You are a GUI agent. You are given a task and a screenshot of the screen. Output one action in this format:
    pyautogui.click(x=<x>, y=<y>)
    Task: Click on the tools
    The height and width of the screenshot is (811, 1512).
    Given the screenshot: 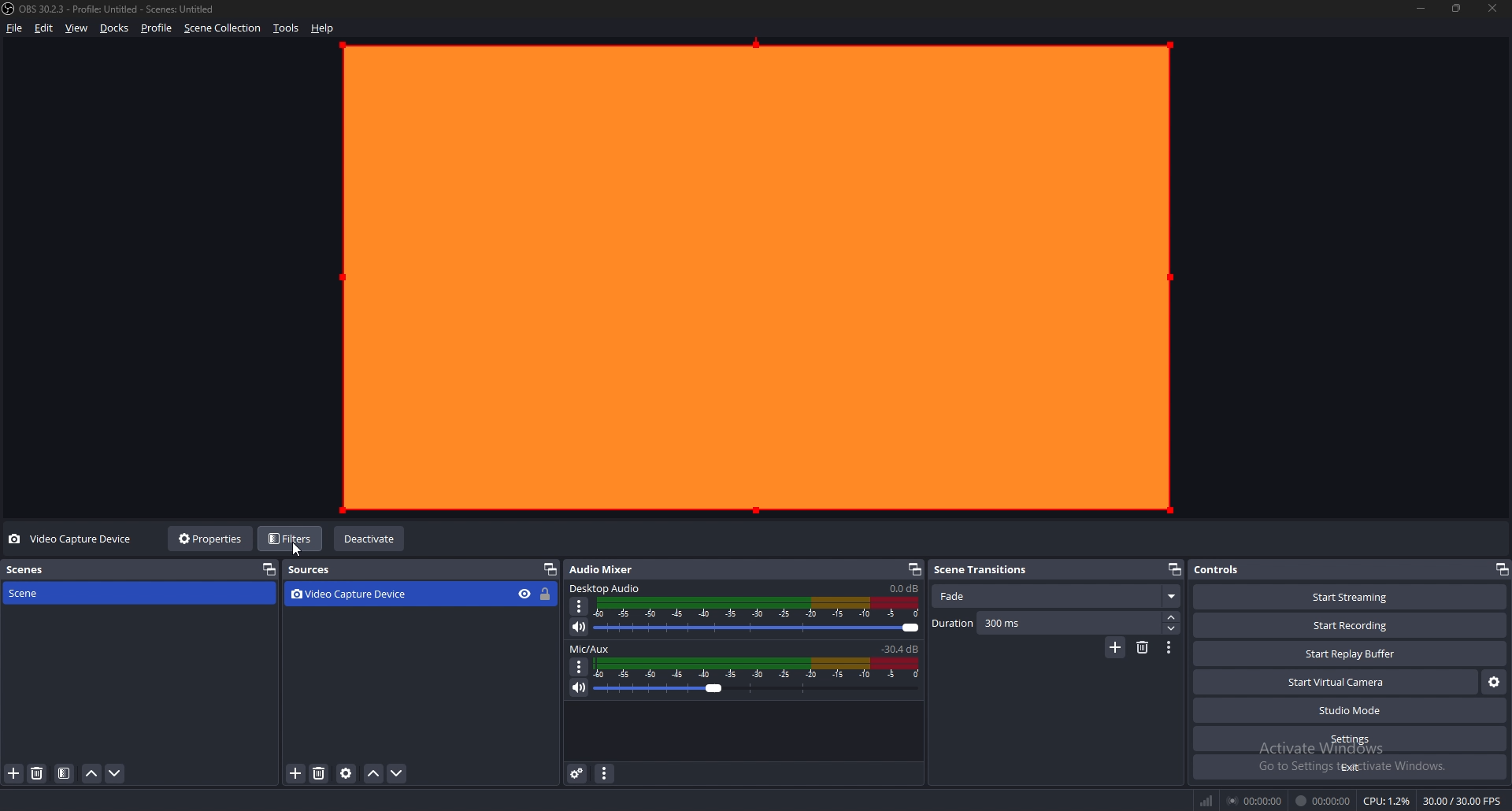 What is the action you would take?
    pyautogui.click(x=287, y=28)
    